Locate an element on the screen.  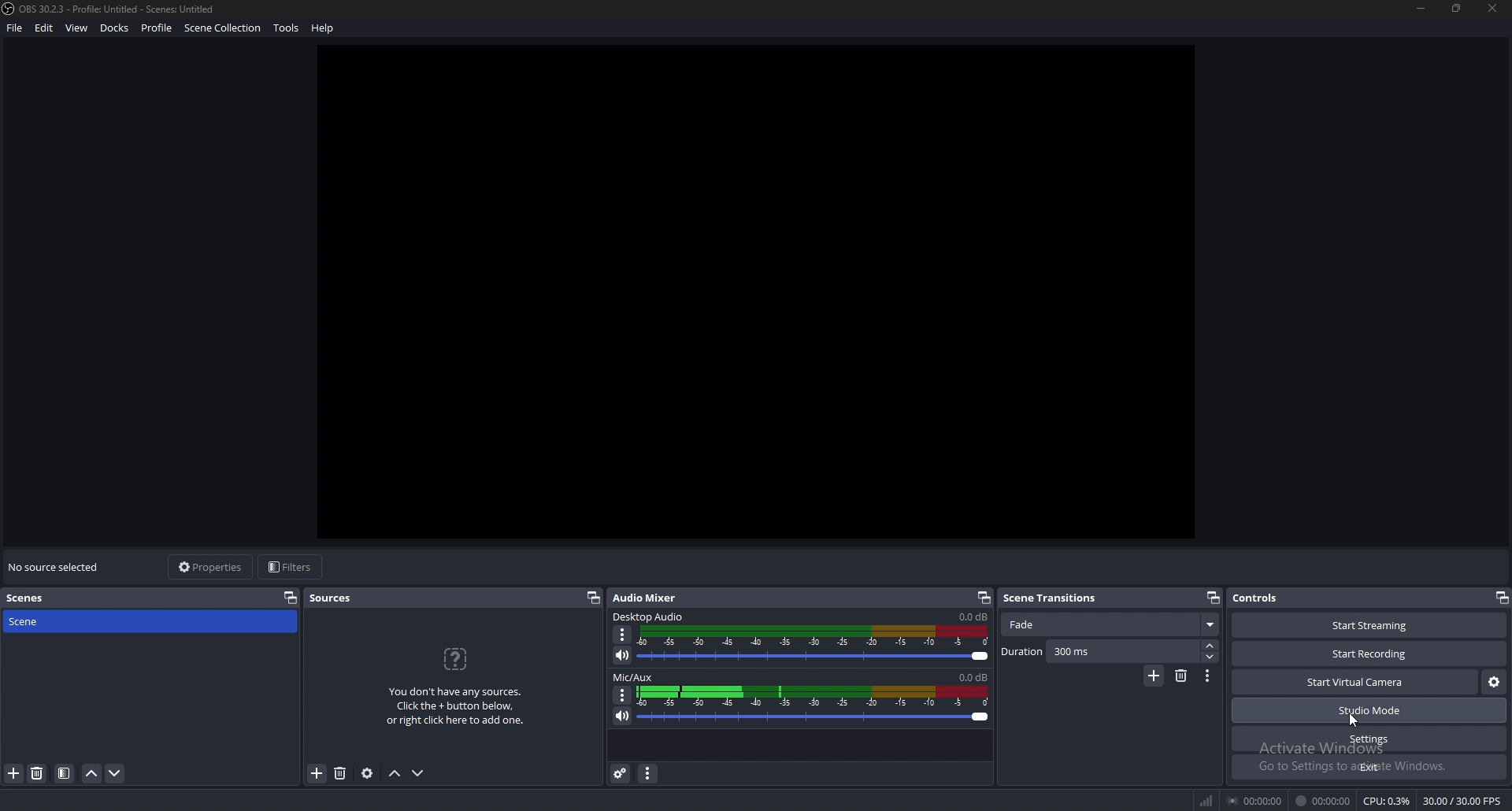
Configure virtual camera is located at coordinates (1493, 683).